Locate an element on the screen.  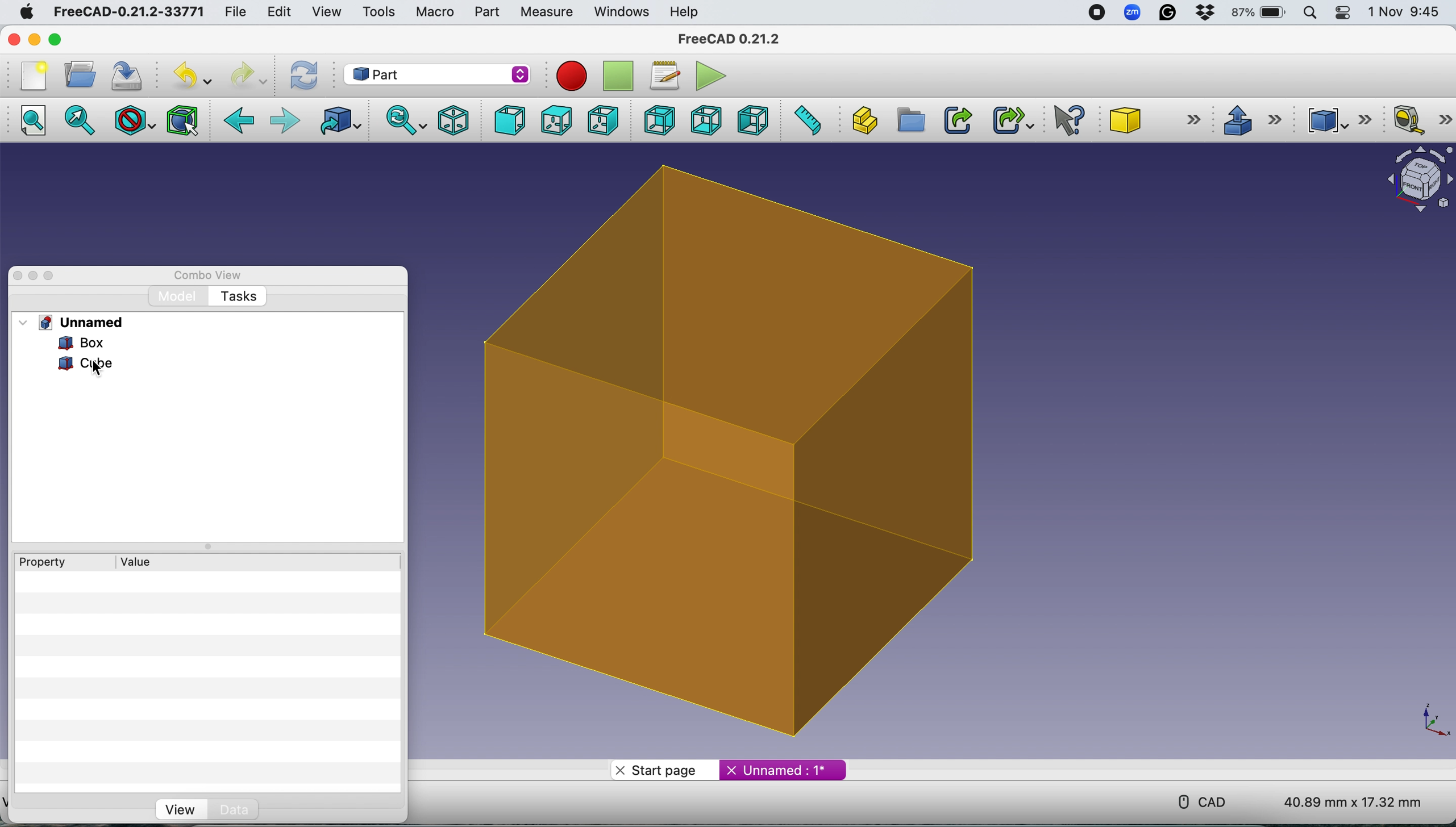
minimise is located at coordinates (34, 39).